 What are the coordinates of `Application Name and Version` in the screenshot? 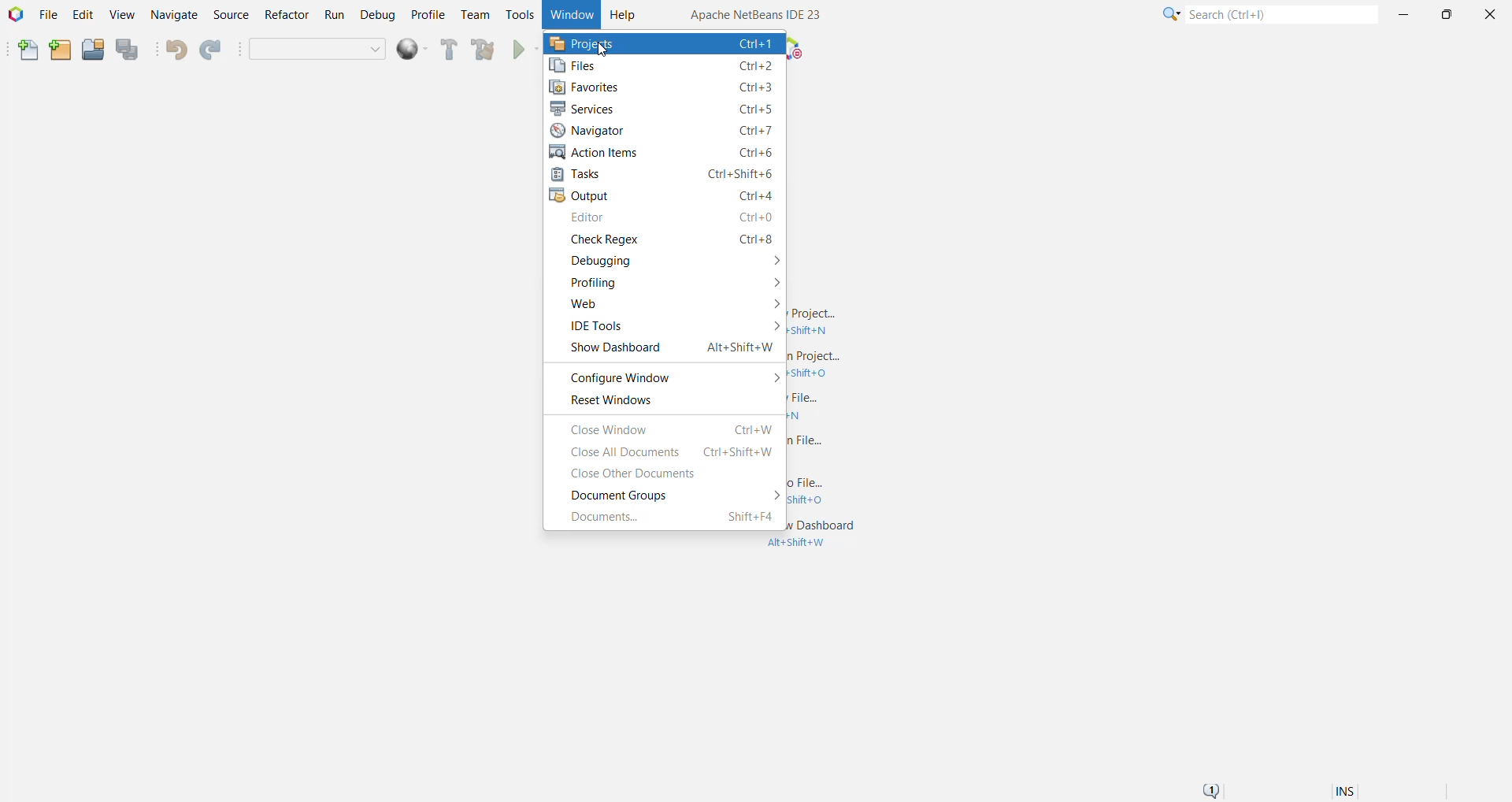 It's located at (754, 13).